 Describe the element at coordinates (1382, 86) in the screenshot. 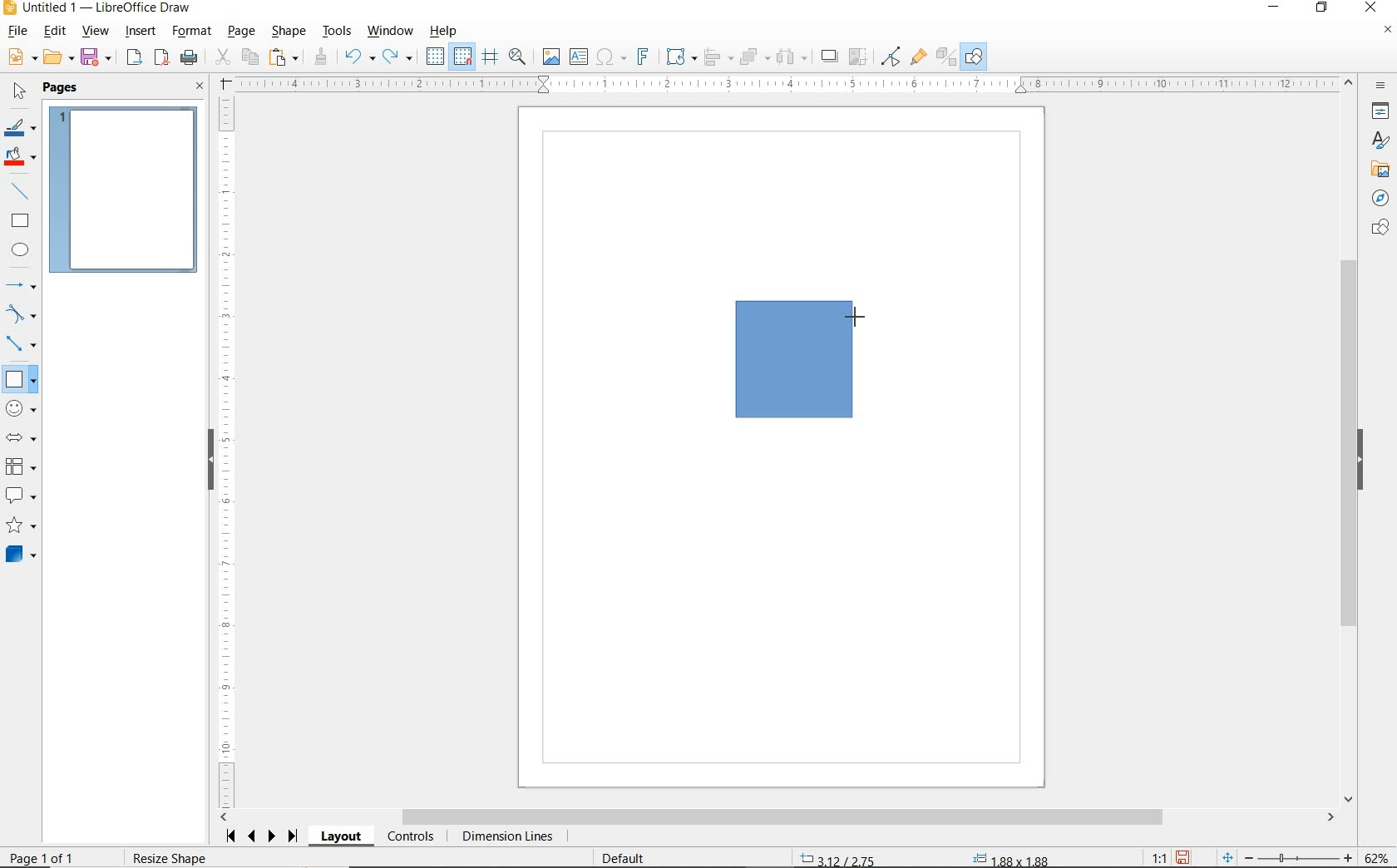

I see `SIDEBAR SETTINGS` at that location.